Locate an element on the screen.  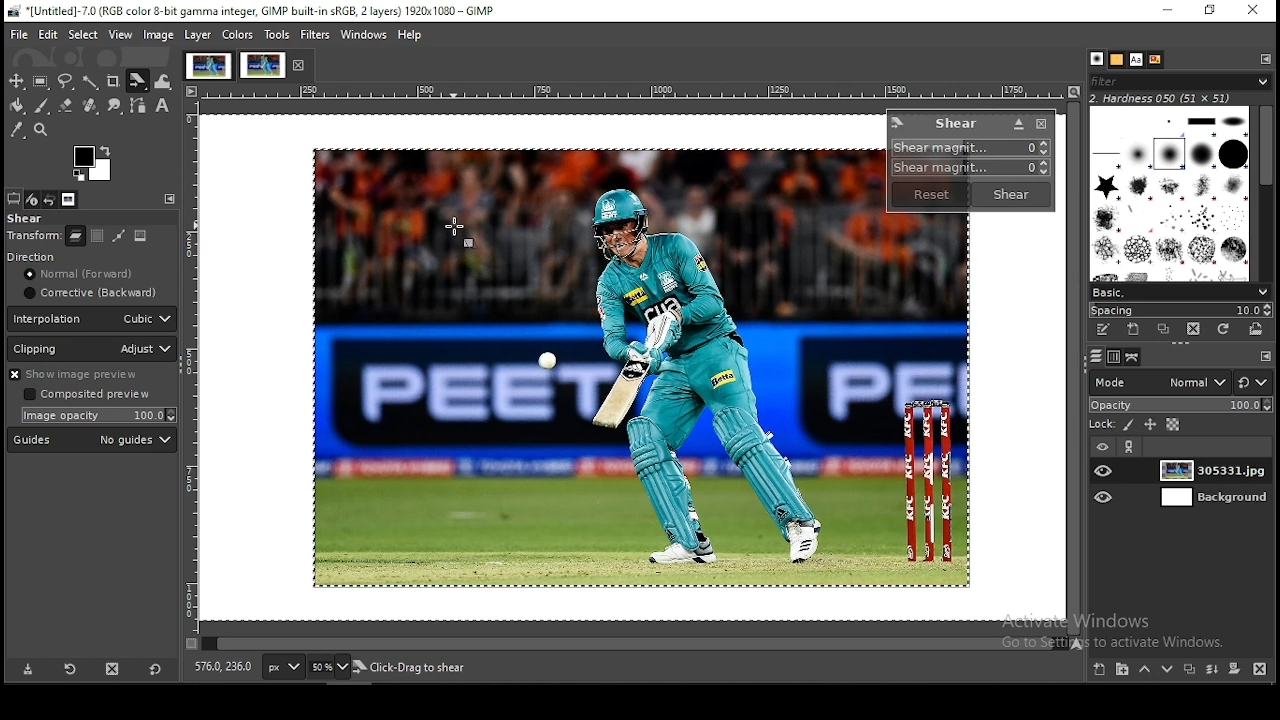
edit this brush is located at coordinates (1104, 330).